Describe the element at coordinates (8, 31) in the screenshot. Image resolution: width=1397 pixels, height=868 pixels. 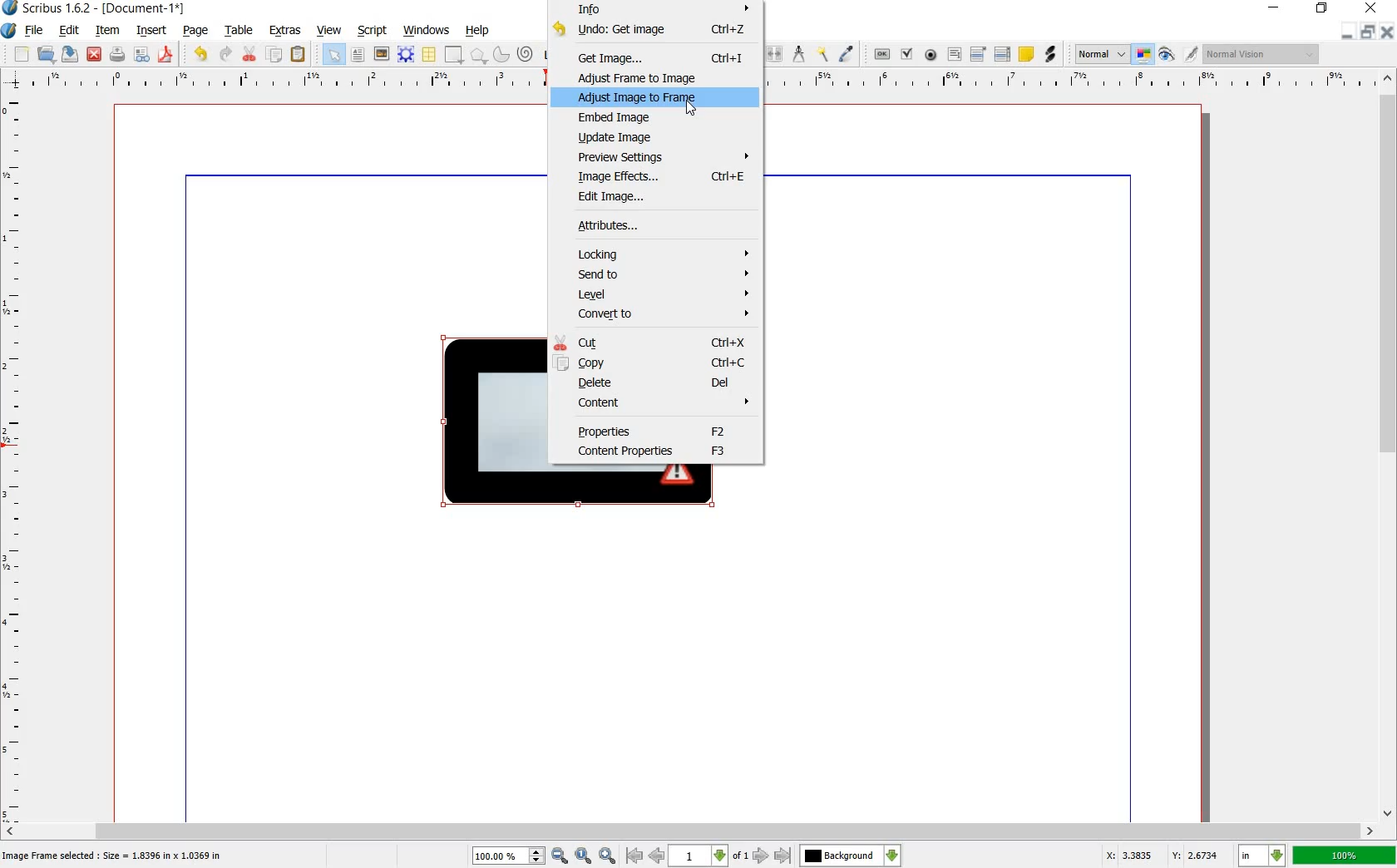
I see `system logo` at that location.